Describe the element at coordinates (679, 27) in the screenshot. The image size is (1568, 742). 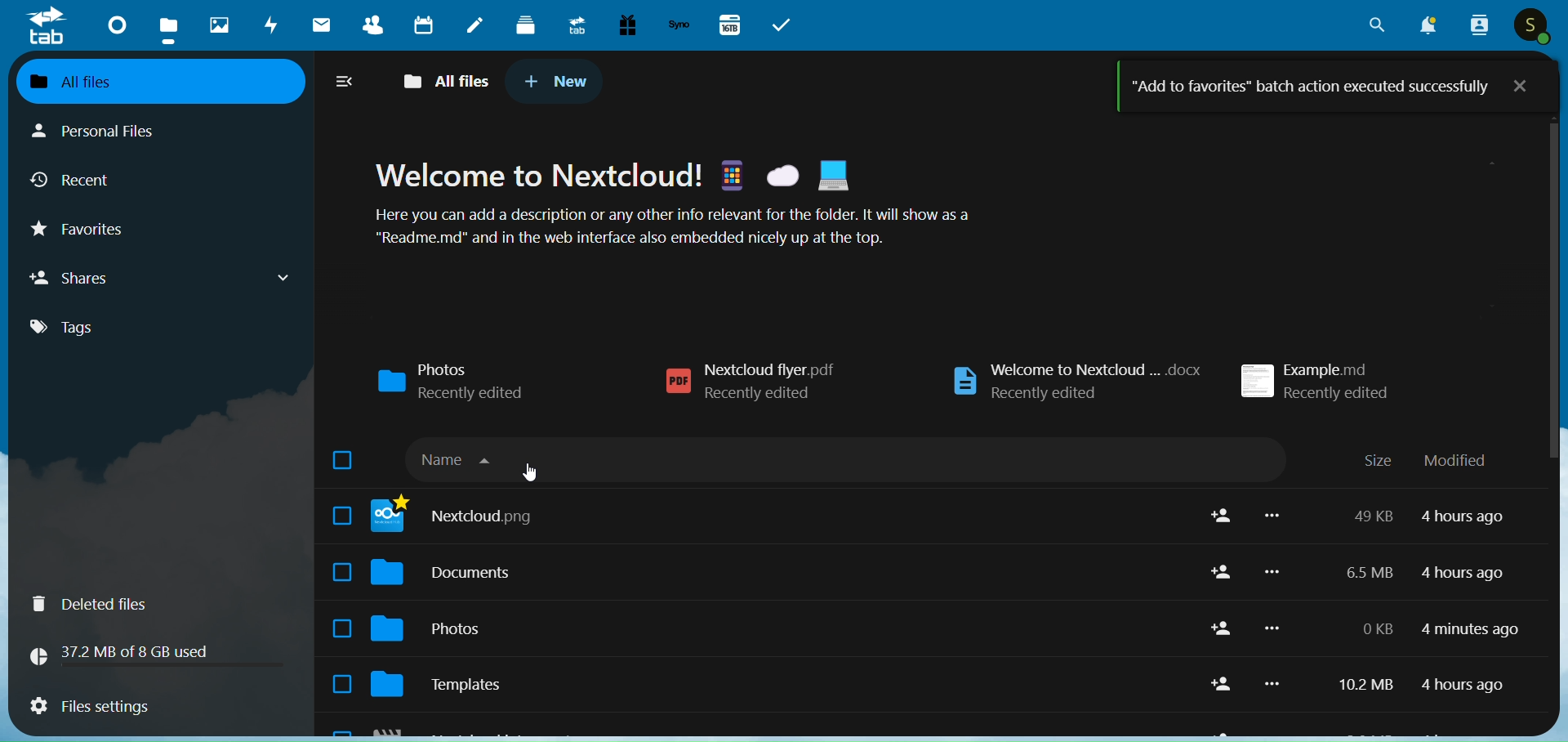
I see `synology` at that location.